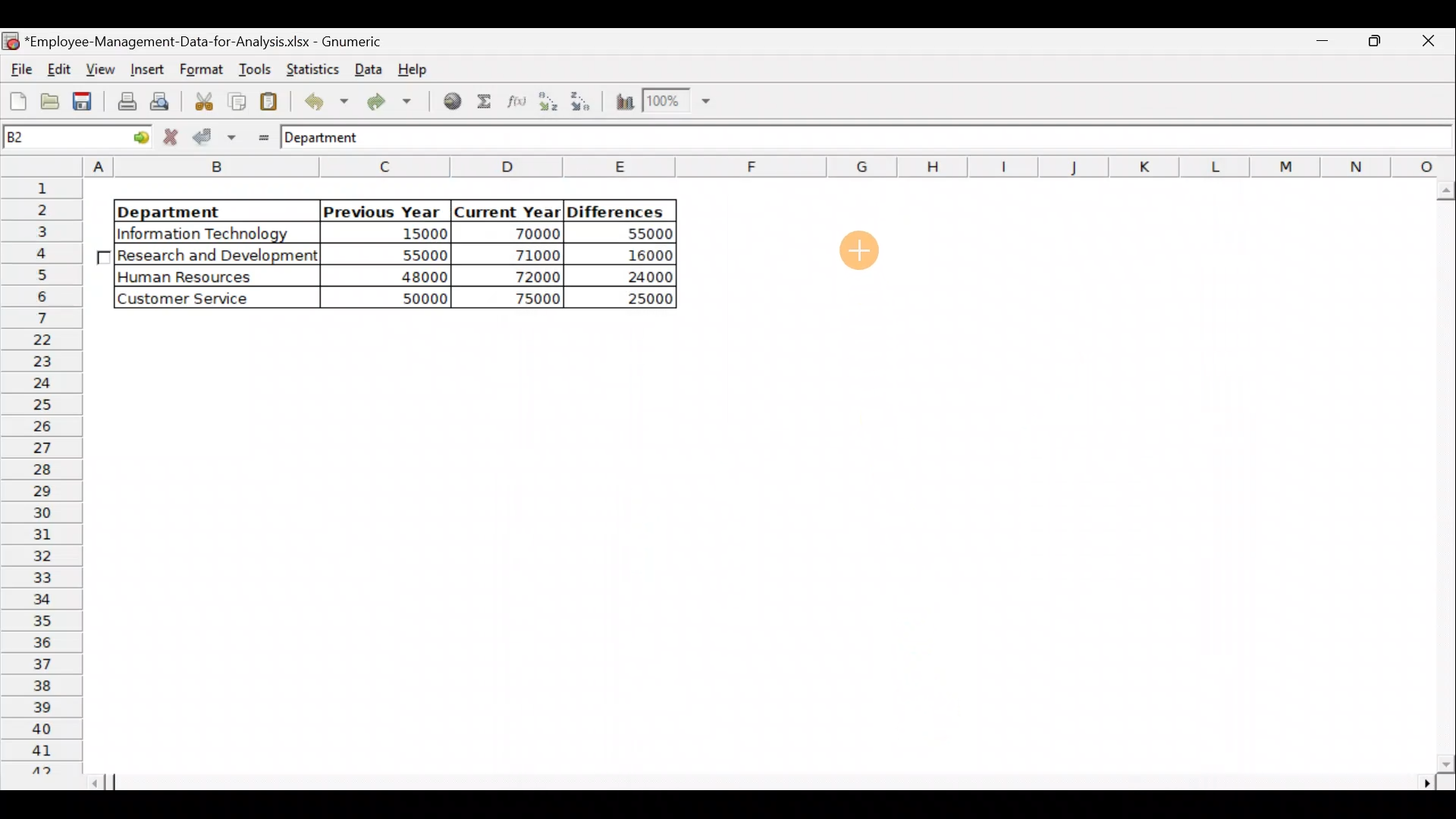 The width and height of the screenshot is (1456, 819). Describe the element at coordinates (382, 209) in the screenshot. I see `Previous Year` at that location.